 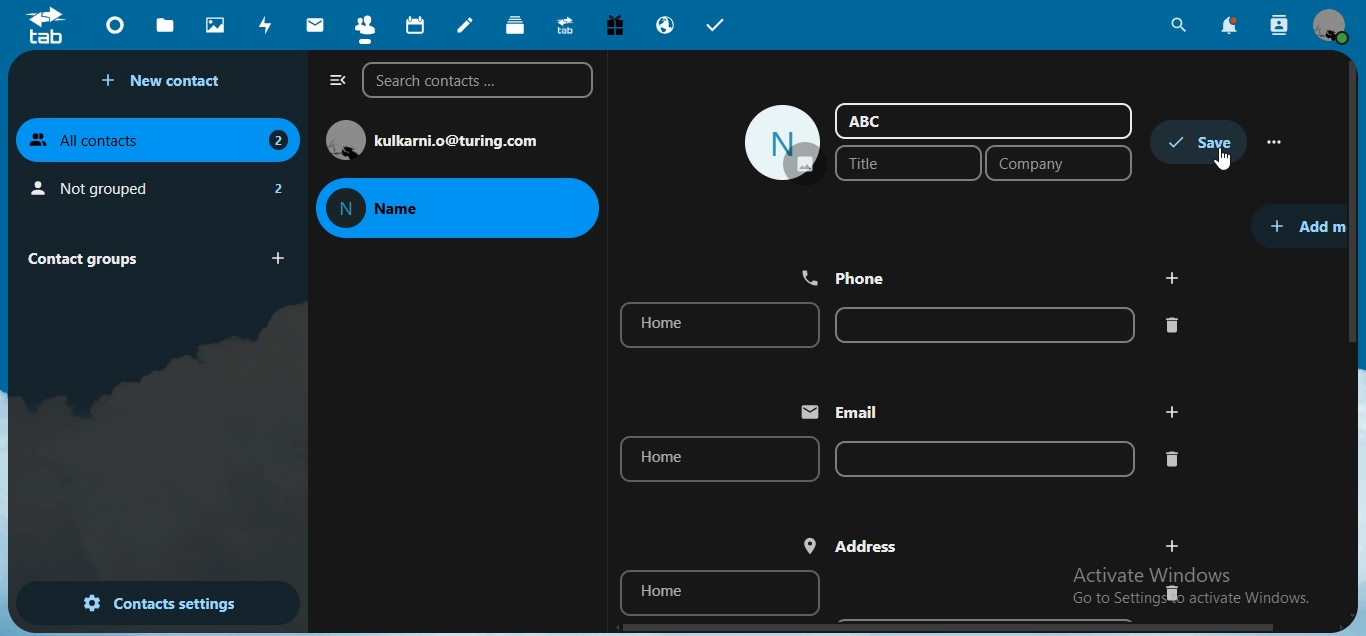 What do you see at coordinates (848, 412) in the screenshot?
I see `eamil` at bounding box center [848, 412].